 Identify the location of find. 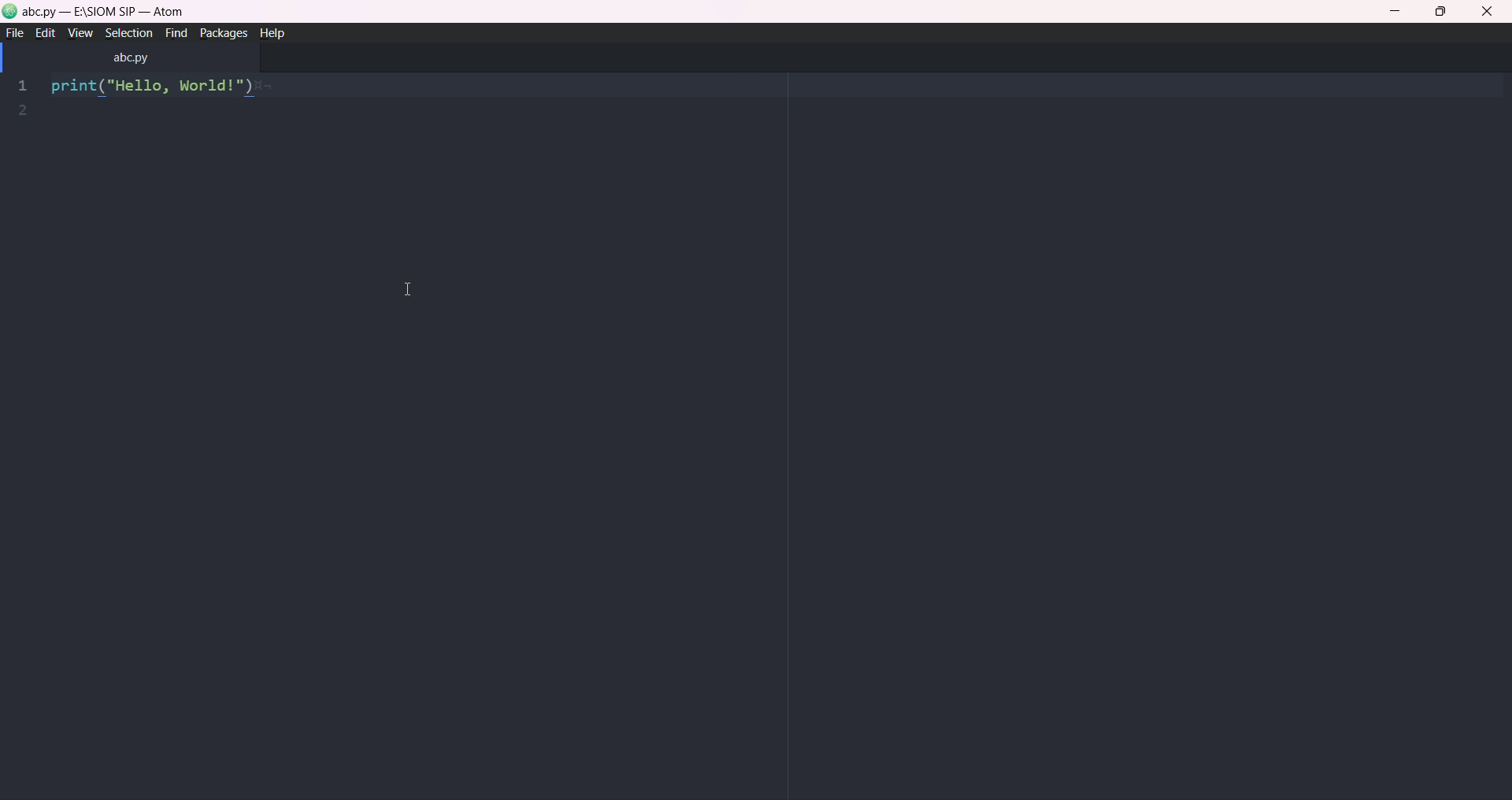
(176, 35).